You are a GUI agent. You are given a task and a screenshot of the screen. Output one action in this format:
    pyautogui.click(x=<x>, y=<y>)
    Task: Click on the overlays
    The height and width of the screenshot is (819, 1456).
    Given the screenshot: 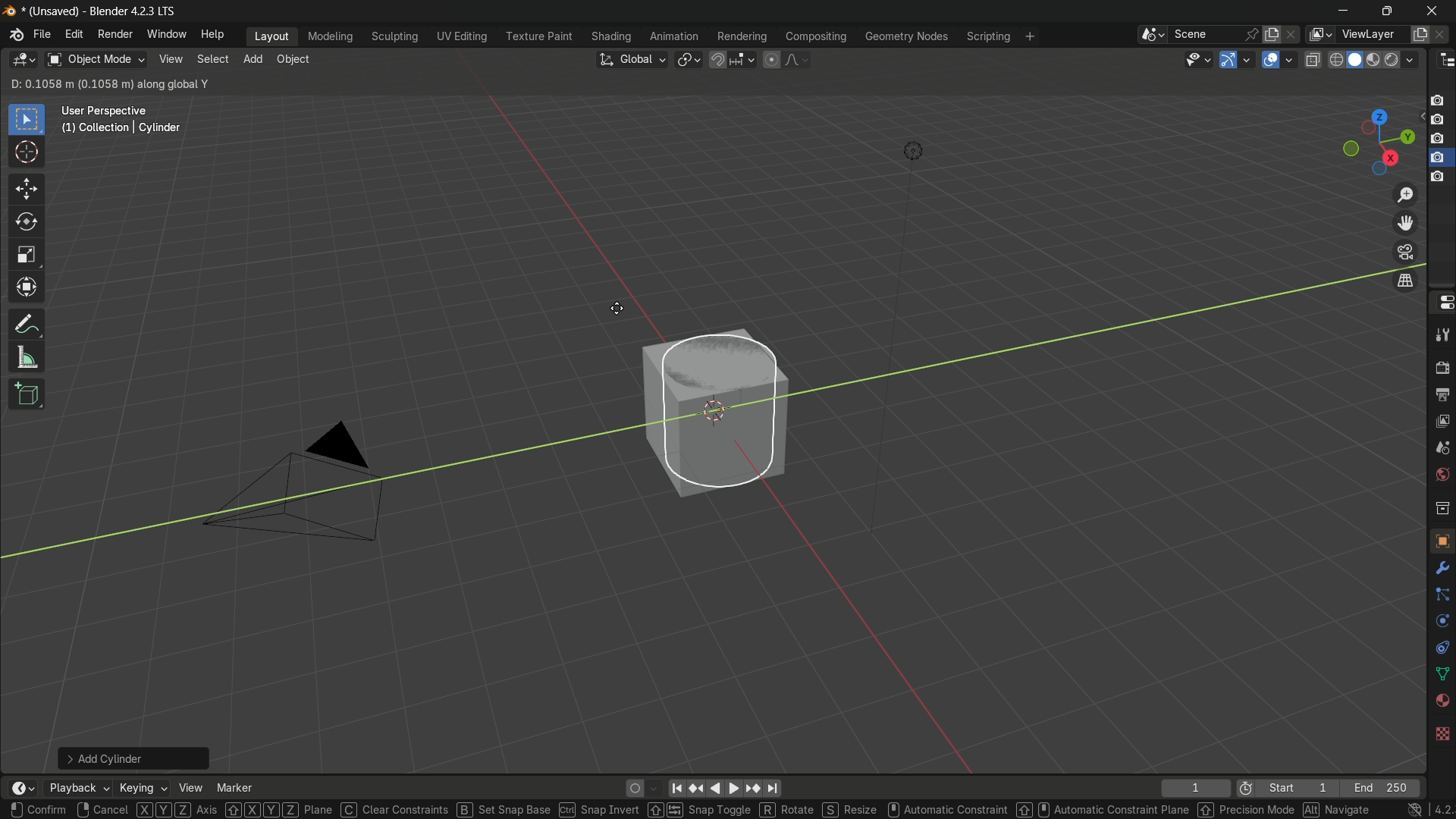 What is the action you would take?
    pyautogui.click(x=1292, y=59)
    